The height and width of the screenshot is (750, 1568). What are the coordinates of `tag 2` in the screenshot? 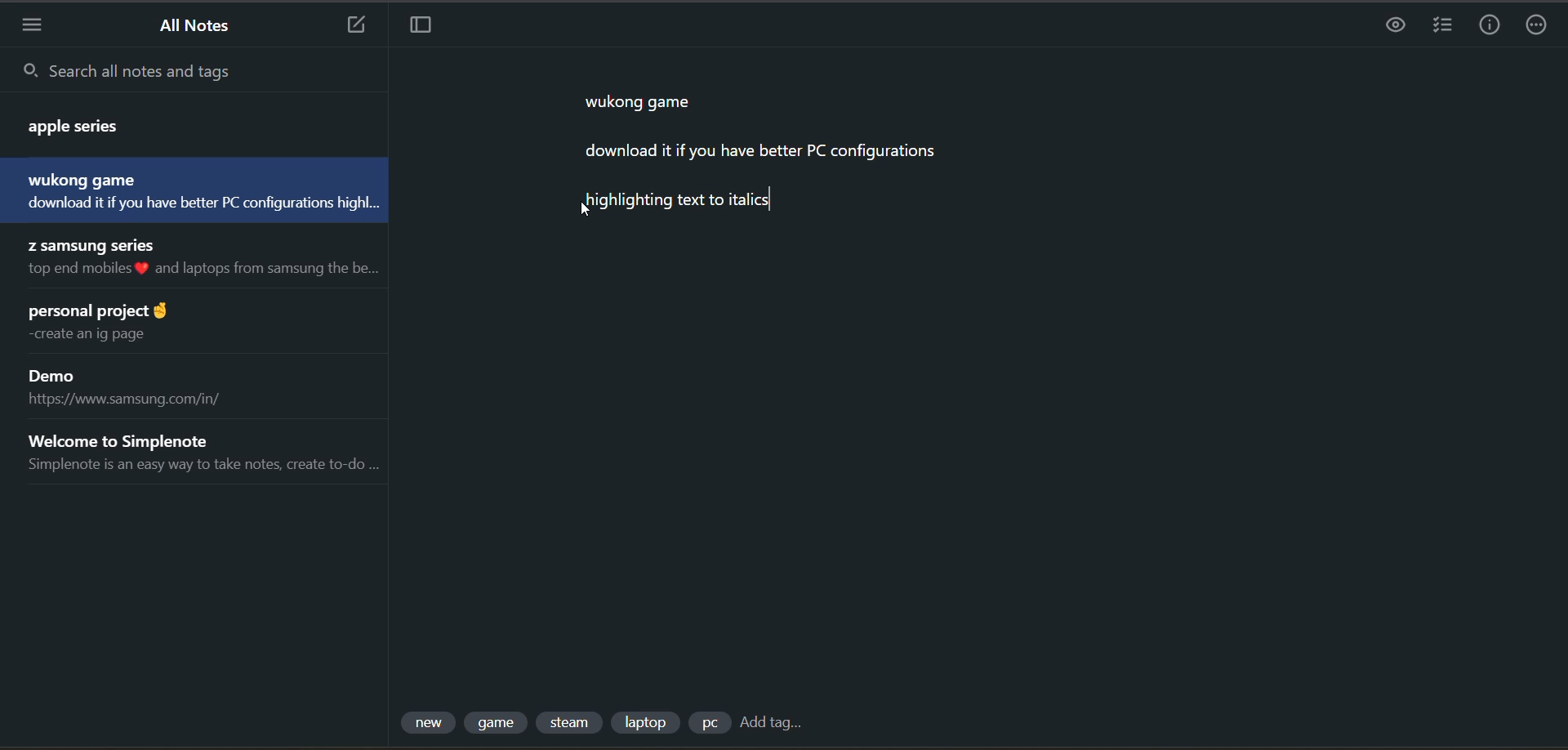 It's located at (498, 723).